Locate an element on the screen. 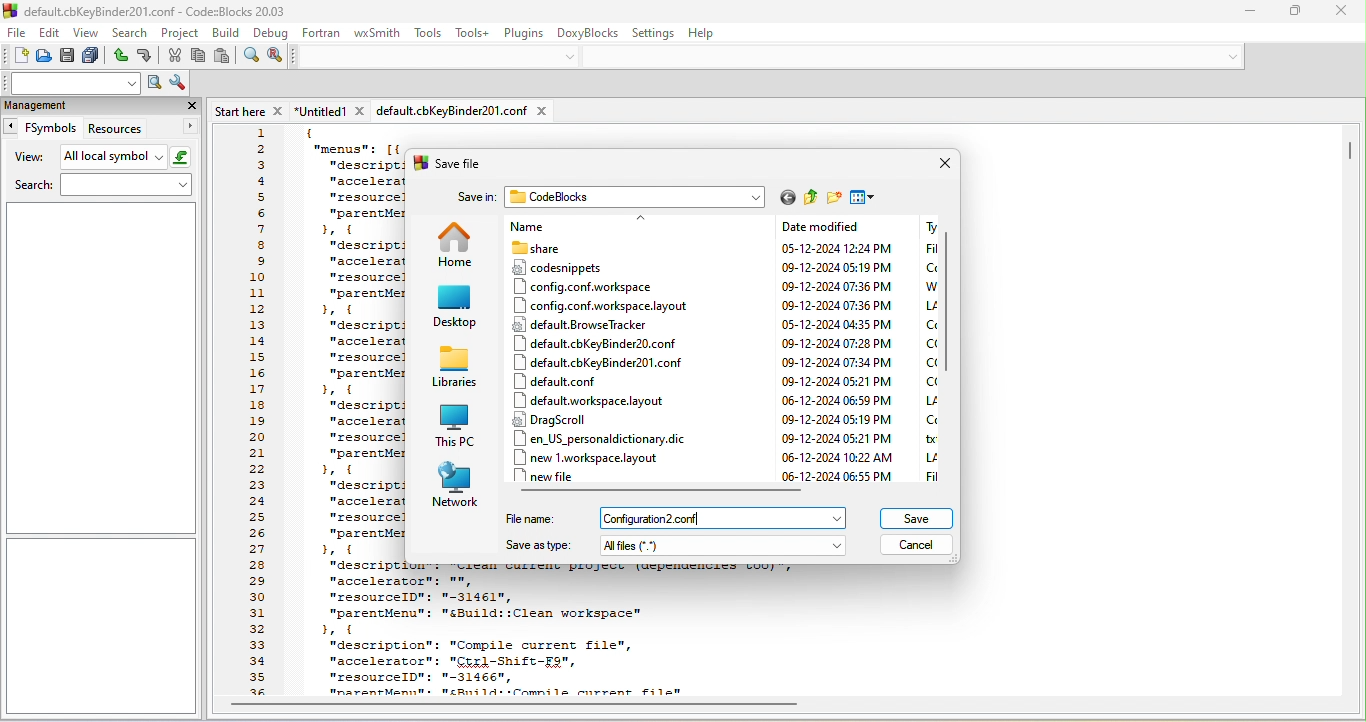 This screenshot has height=722, width=1366. type is located at coordinates (922, 350).